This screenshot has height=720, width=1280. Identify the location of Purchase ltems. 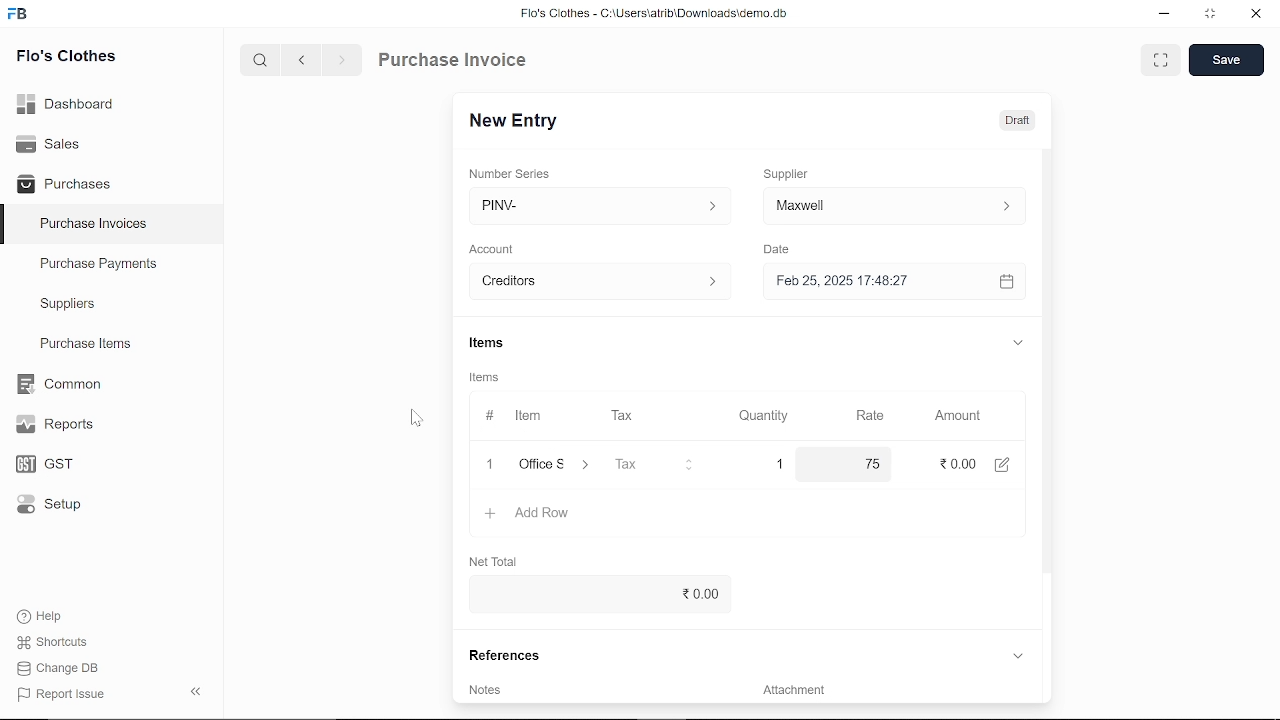
(83, 345).